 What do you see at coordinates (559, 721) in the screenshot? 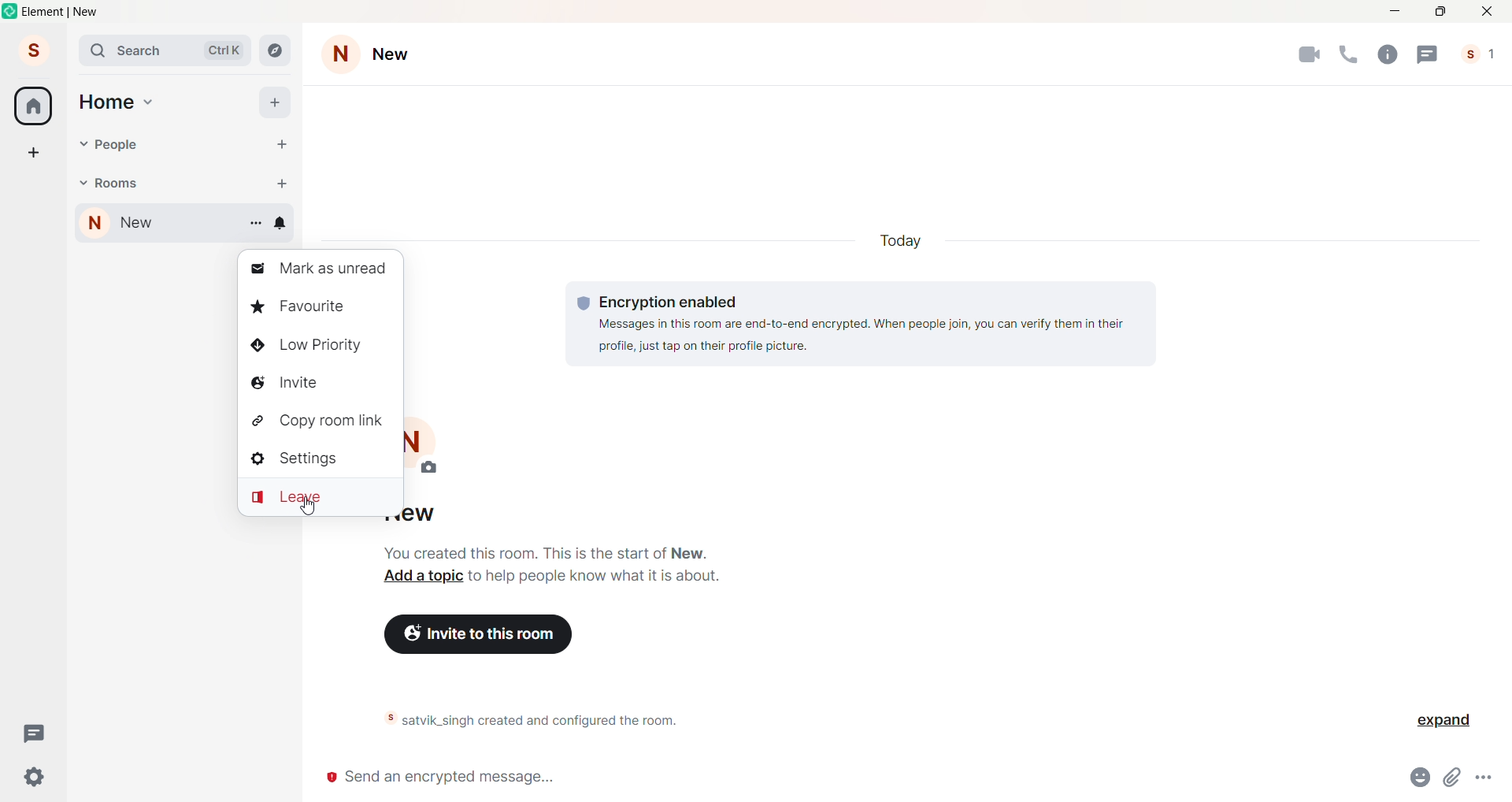
I see `satvik_singh created and configured the room.` at bounding box center [559, 721].